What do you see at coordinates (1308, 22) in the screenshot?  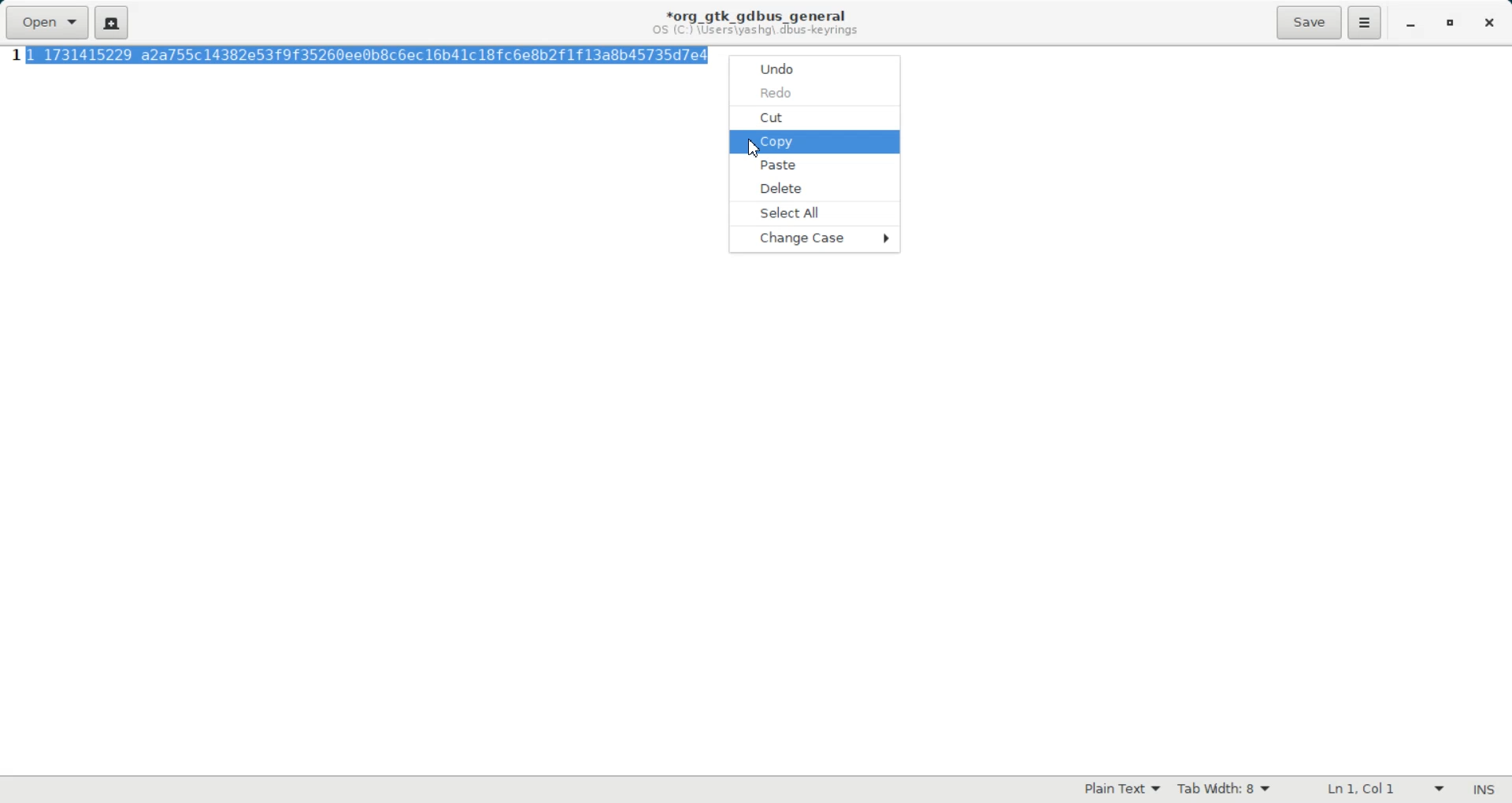 I see `Save` at bounding box center [1308, 22].